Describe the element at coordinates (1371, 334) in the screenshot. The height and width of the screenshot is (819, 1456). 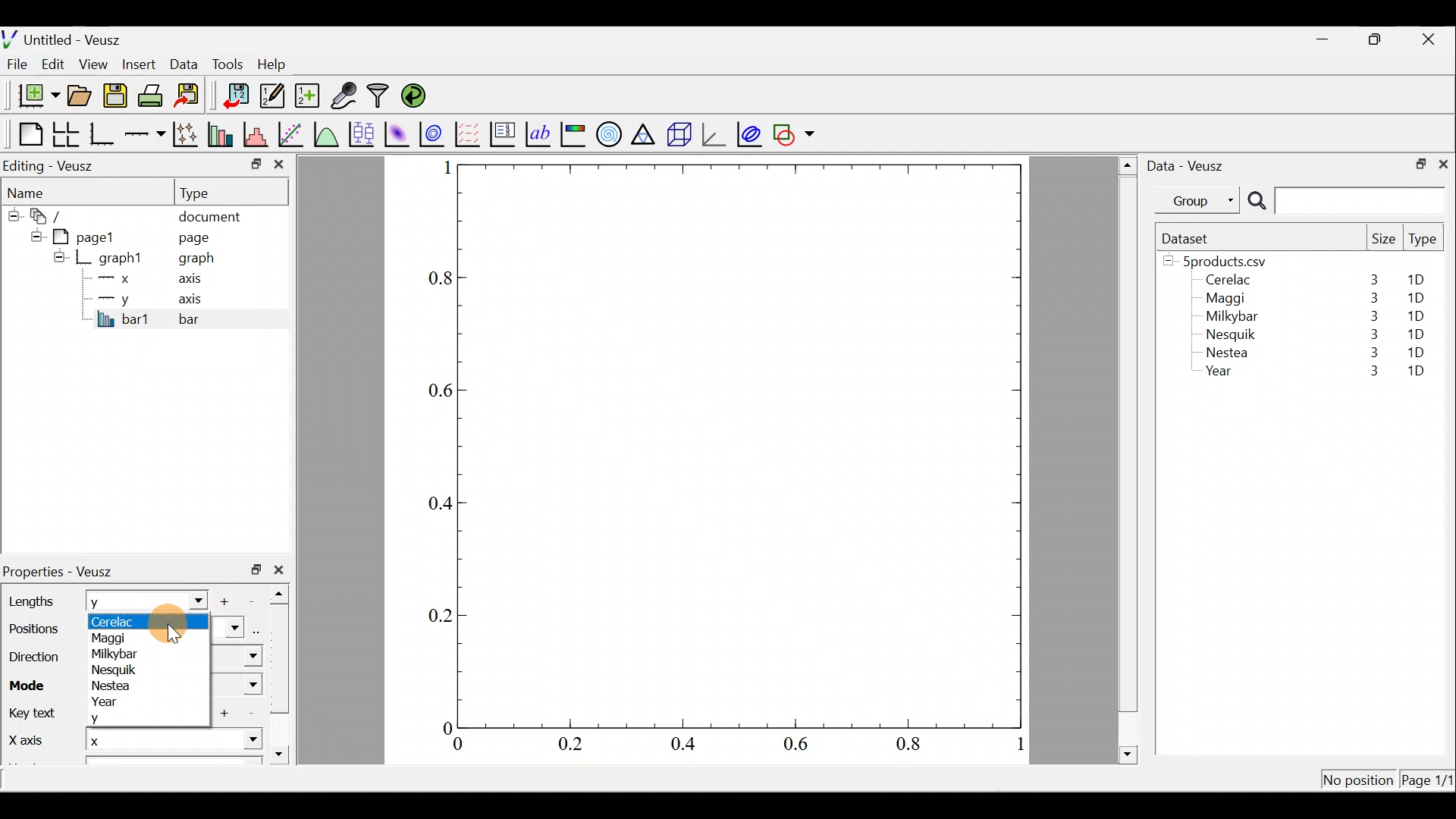
I see `3` at that location.